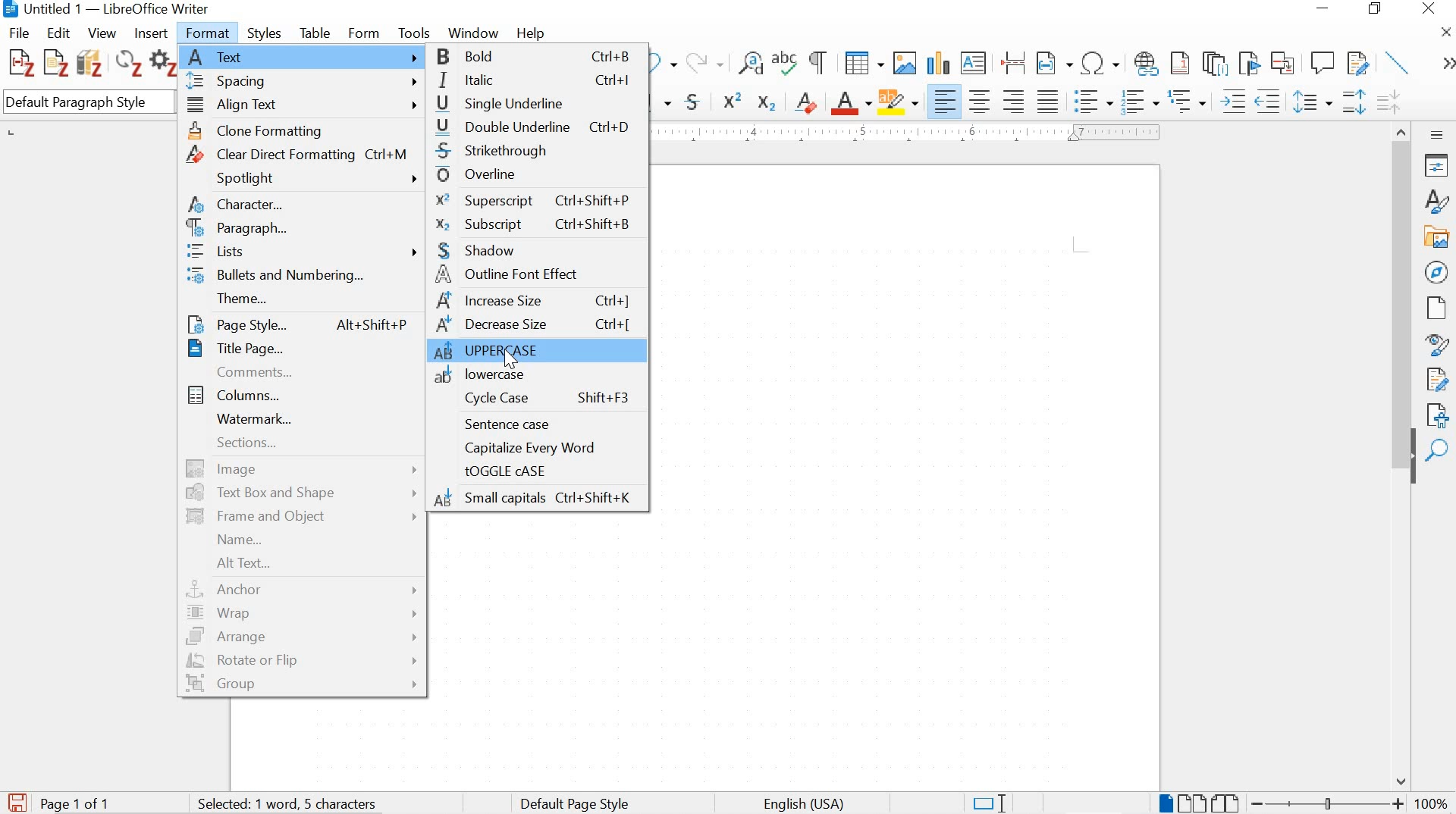 This screenshot has height=814, width=1456. I want to click on bold, so click(539, 58).